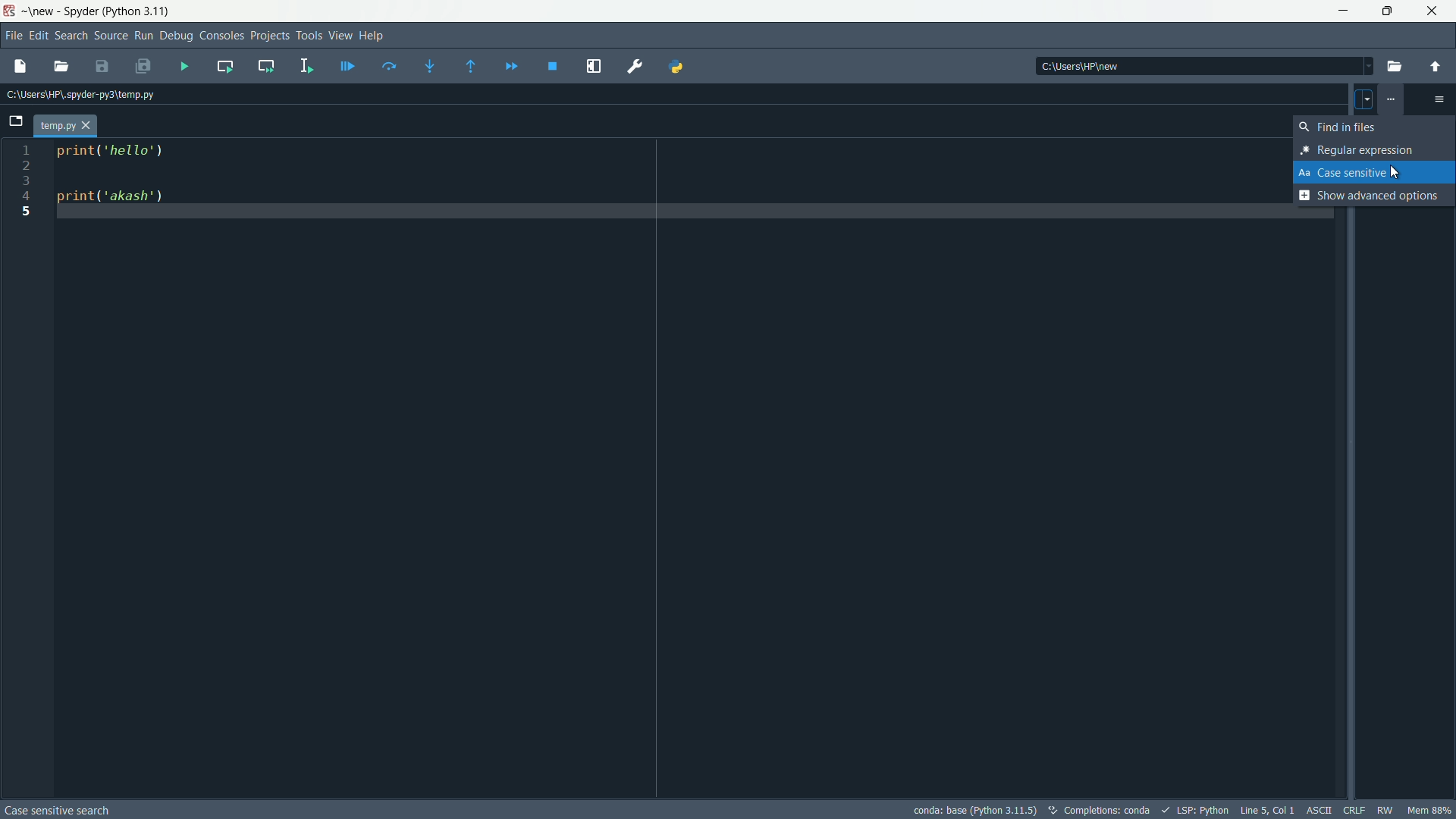 The height and width of the screenshot is (819, 1456). Describe the element at coordinates (1199, 64) in the screenshot. I see `C:\Users\HP\new` at that location.